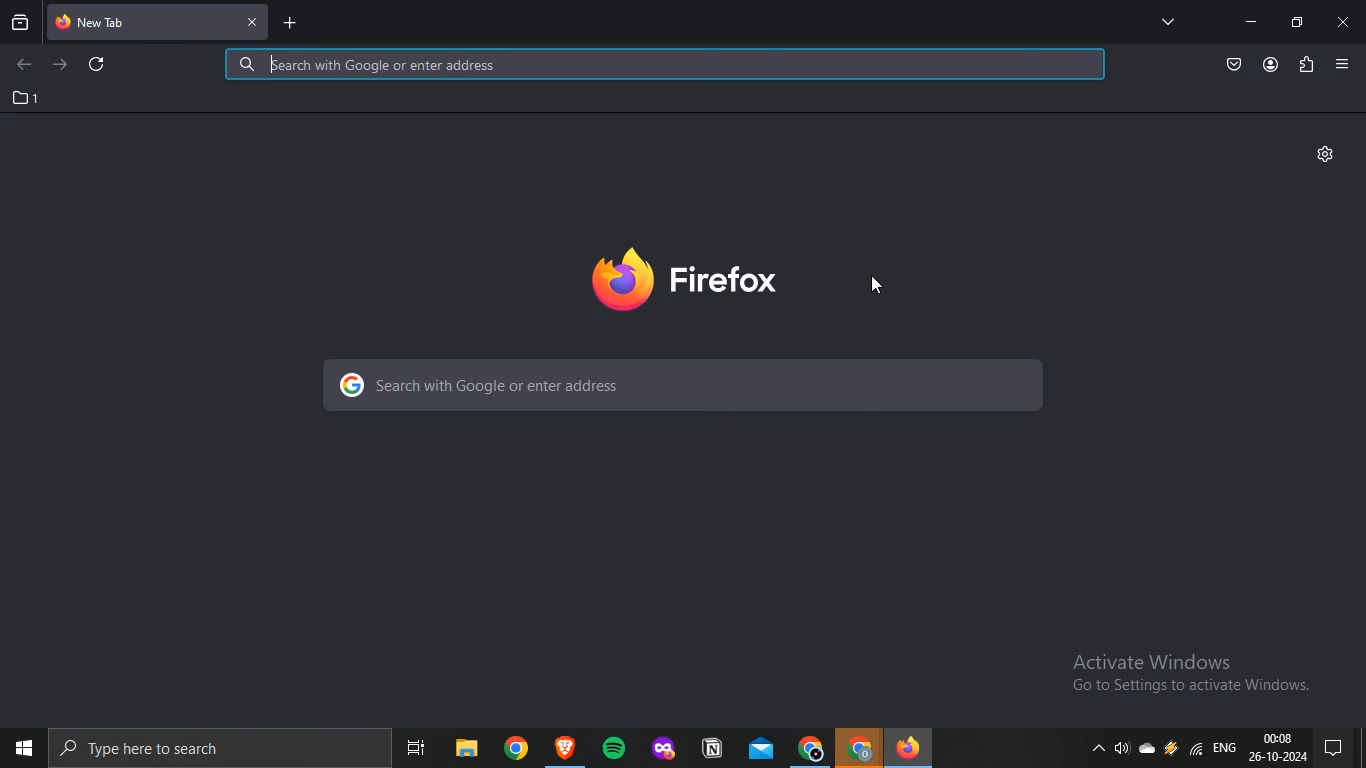 This screenshot has width=1366, height=768. Describe the element at coordinates (709, 745) in the screenshot. I see `notion` at that location.